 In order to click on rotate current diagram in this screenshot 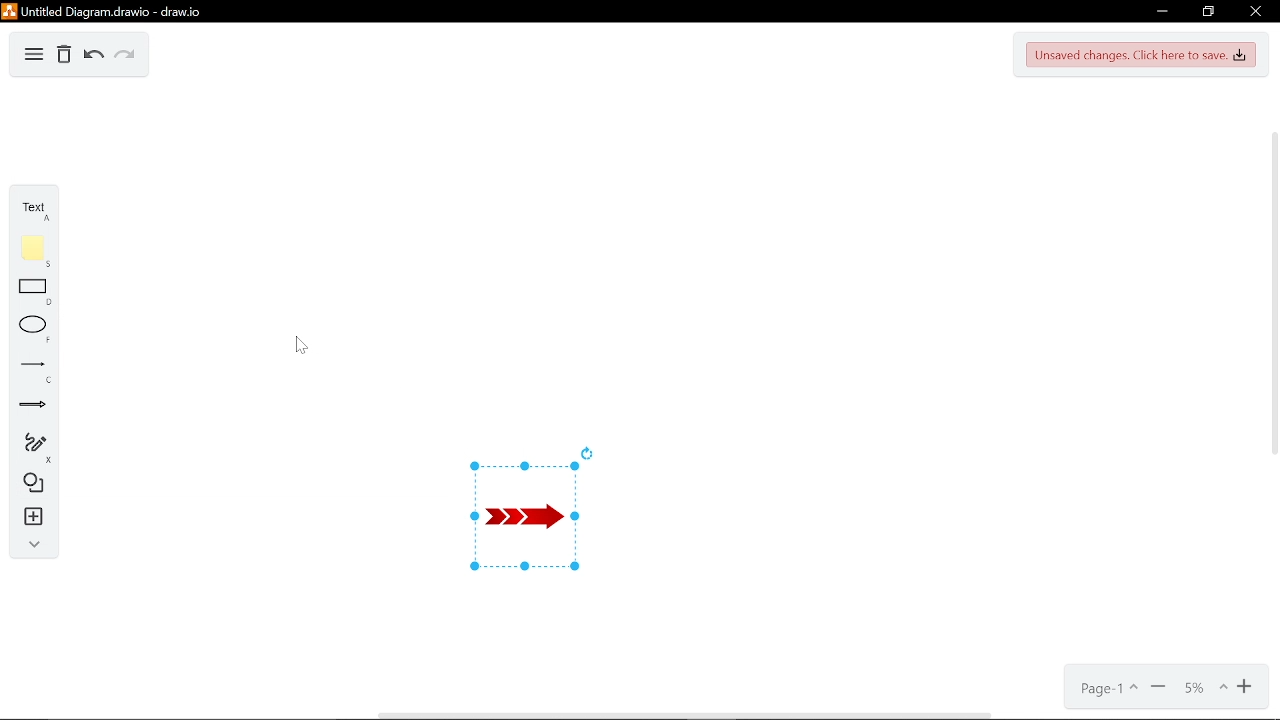, I will do `click(587, 452)`.